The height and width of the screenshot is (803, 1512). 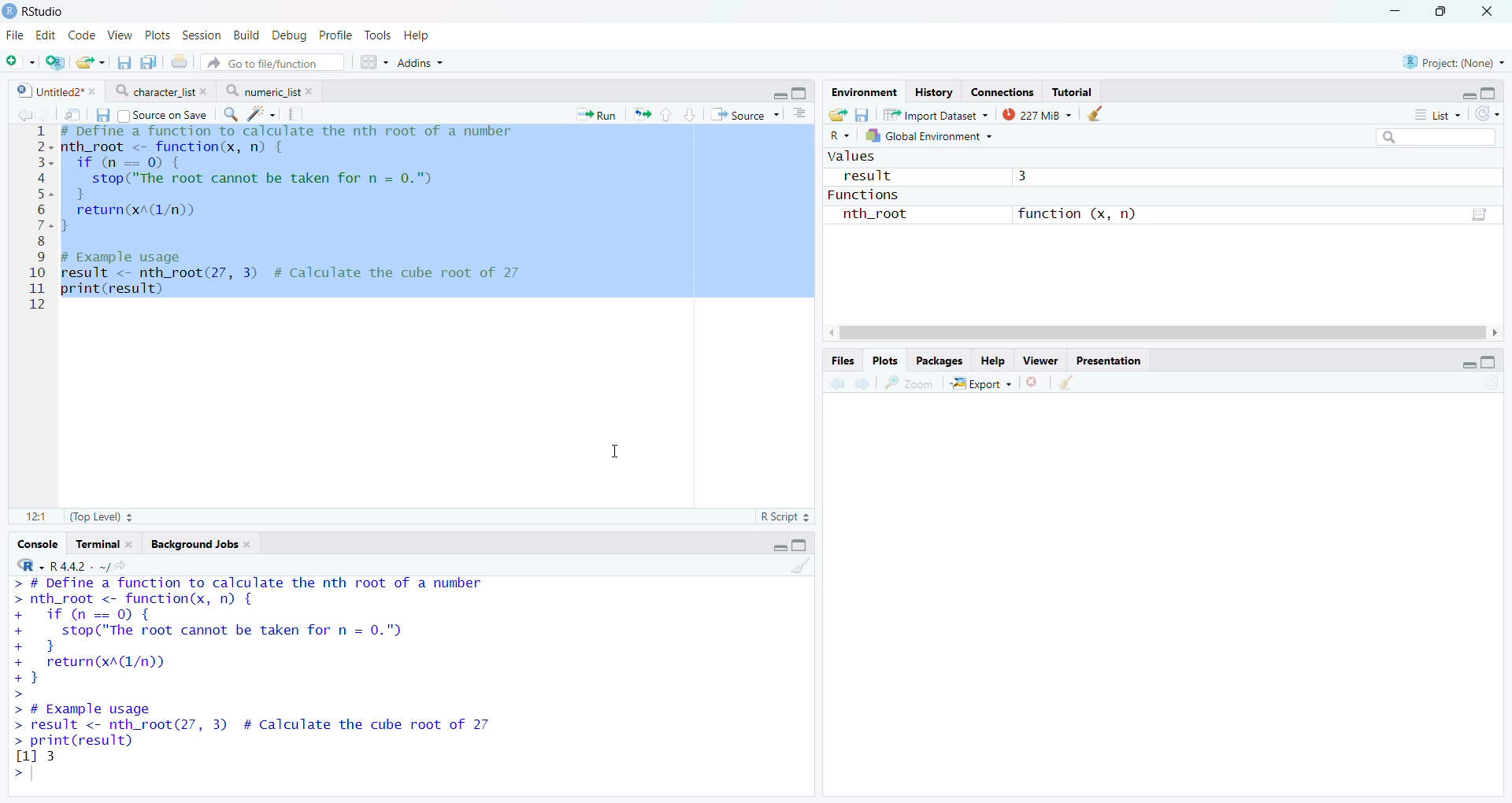 I want to click on Line numbers, so click(x=41, y=216).